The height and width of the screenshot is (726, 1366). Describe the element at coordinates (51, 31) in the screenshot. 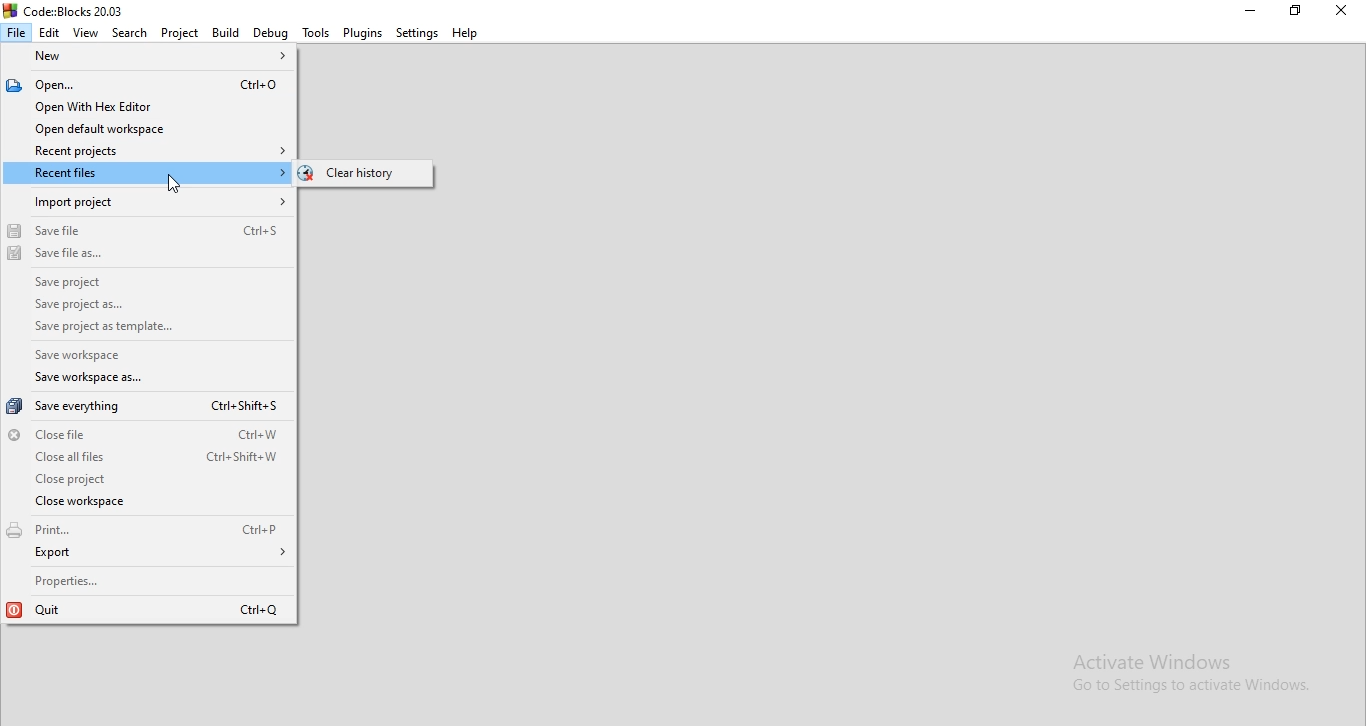

I see `Edit ` at that location.